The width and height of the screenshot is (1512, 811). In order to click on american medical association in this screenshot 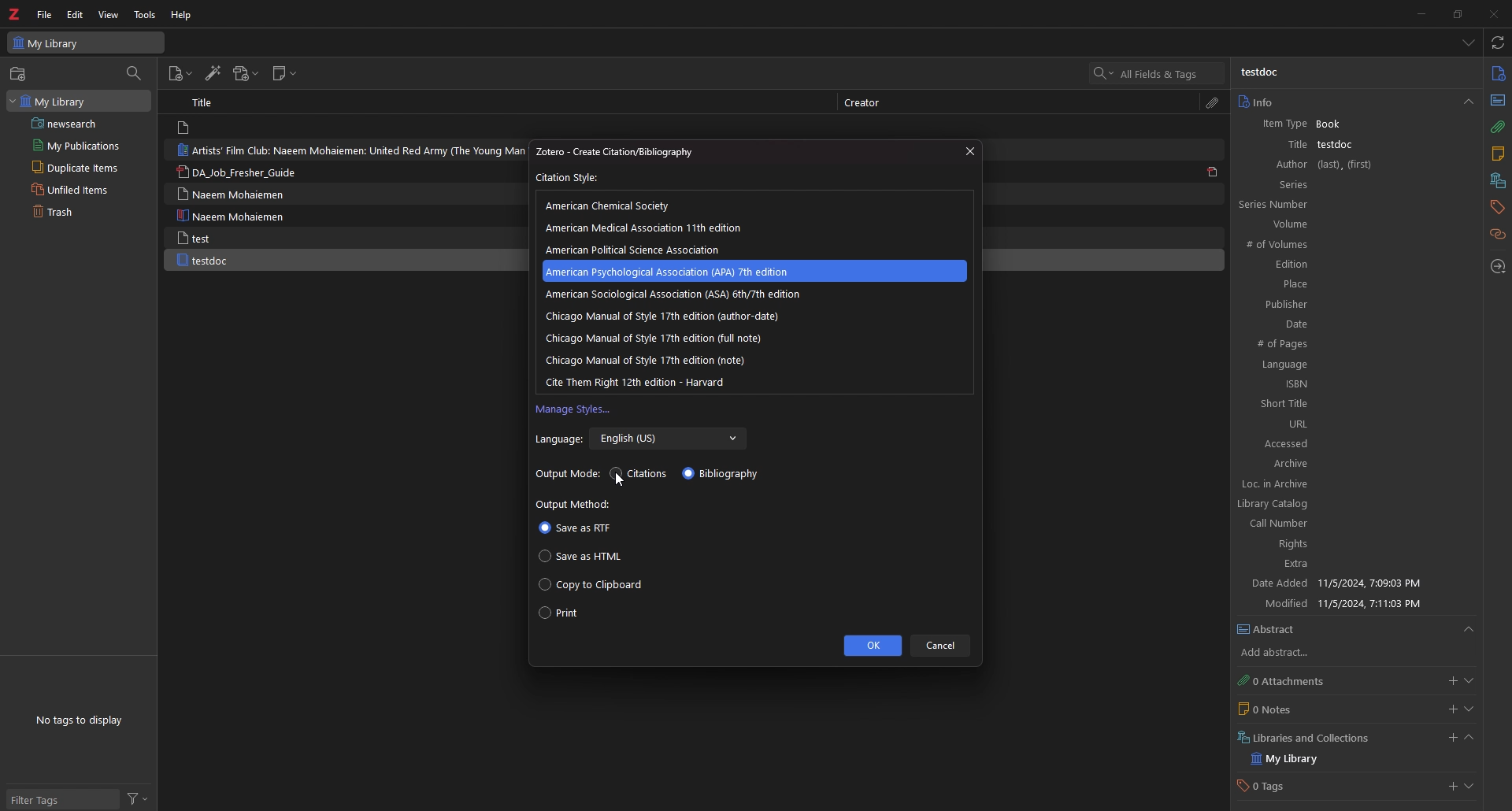, I will do `click(653, 228)`.